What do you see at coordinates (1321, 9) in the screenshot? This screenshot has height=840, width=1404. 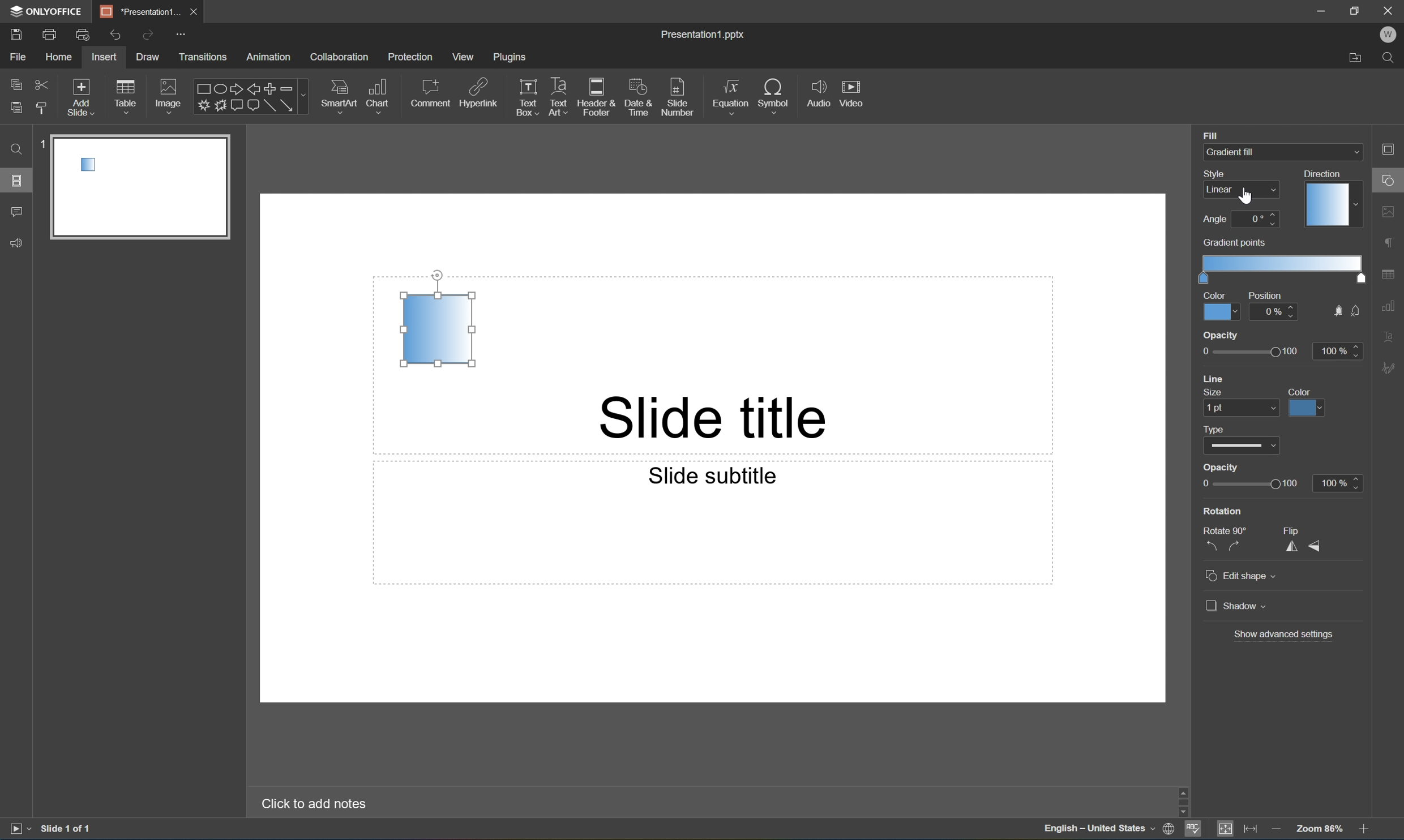 I see `Minimize` at bounding box center [1321, 9].